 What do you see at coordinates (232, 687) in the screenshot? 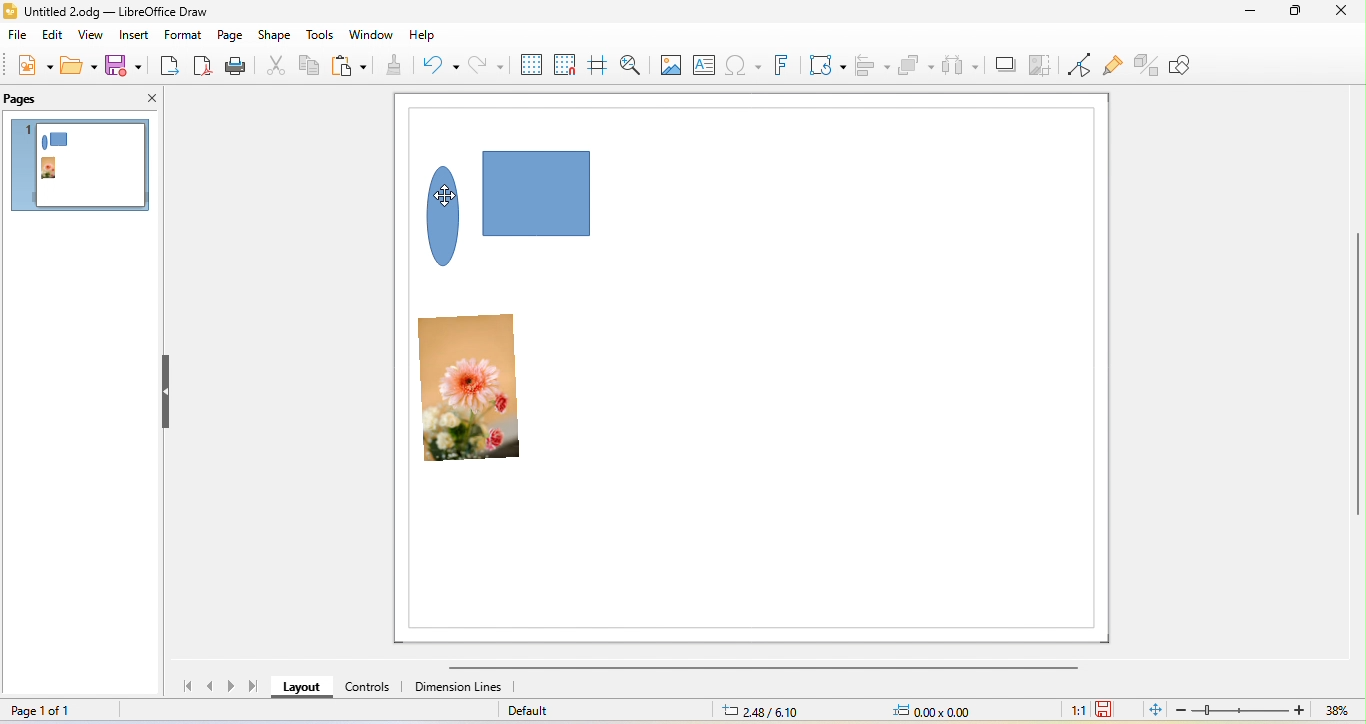
I see `next page` at bounding box center [232, 687].